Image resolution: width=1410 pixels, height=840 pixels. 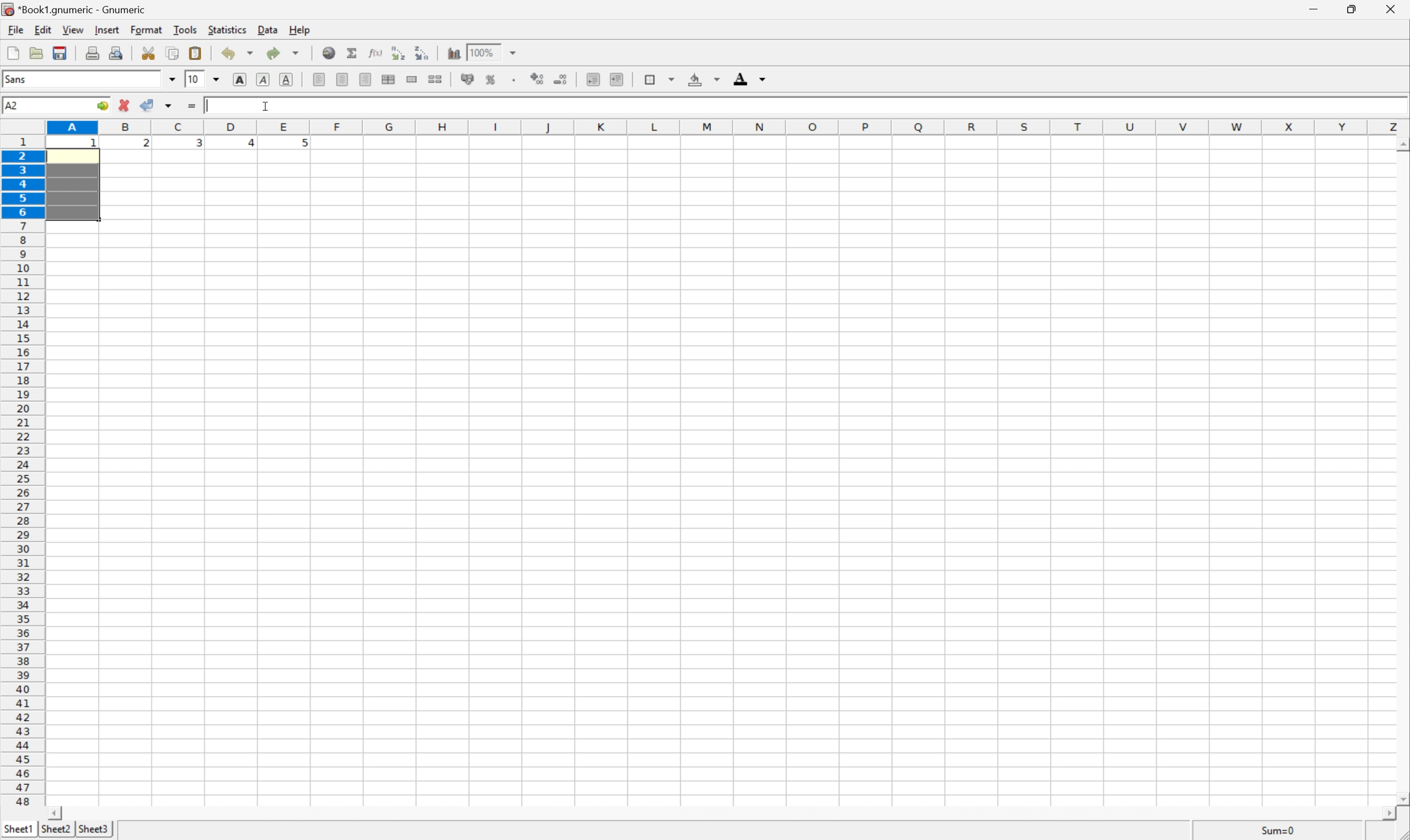 What do you see at coordinates (266, 29) in the screenshot?
I see `data` at bounding box center [266, 29].